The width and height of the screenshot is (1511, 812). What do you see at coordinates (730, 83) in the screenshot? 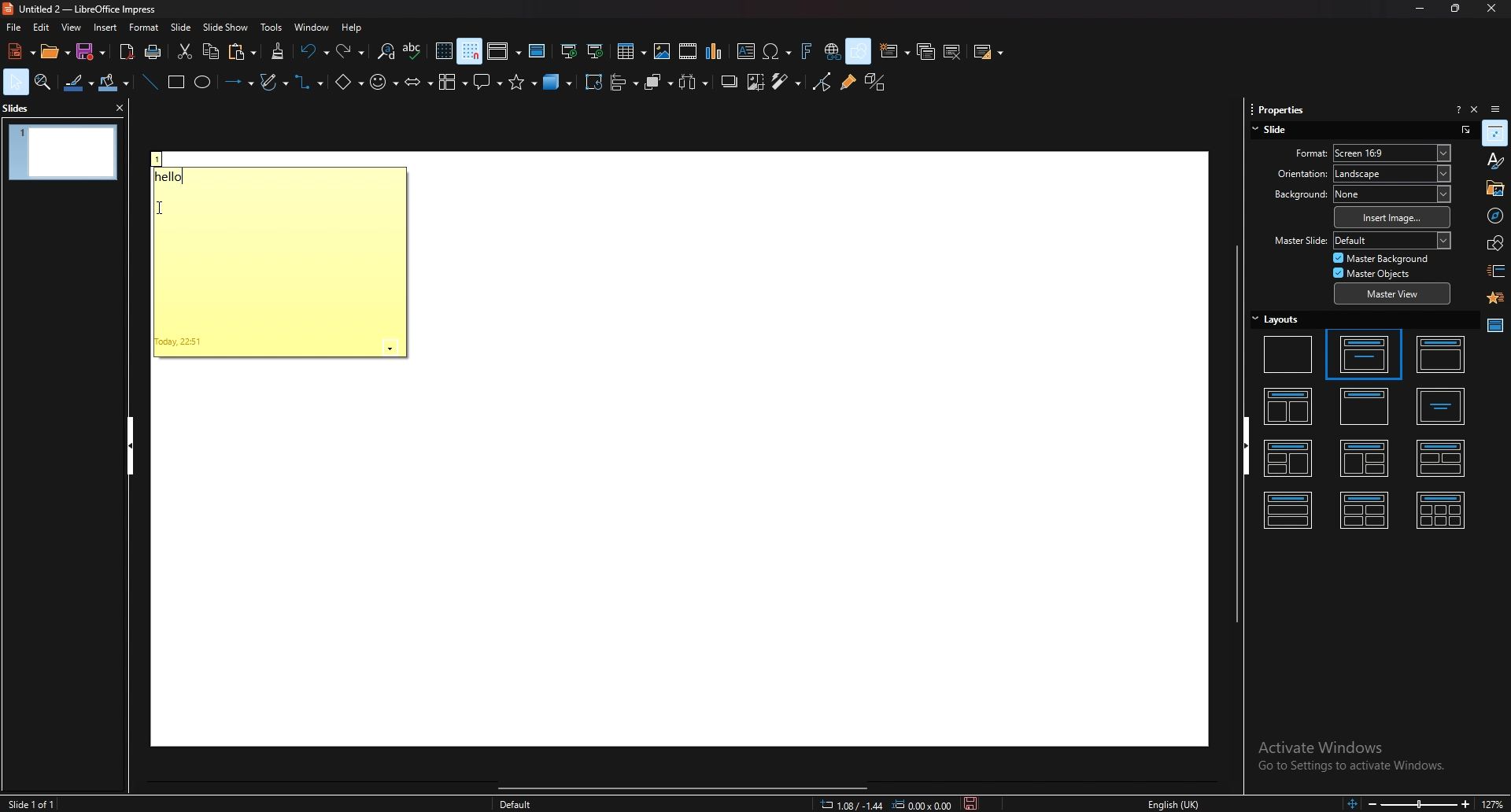
I see `shadow` at bounding box center [730, 83].